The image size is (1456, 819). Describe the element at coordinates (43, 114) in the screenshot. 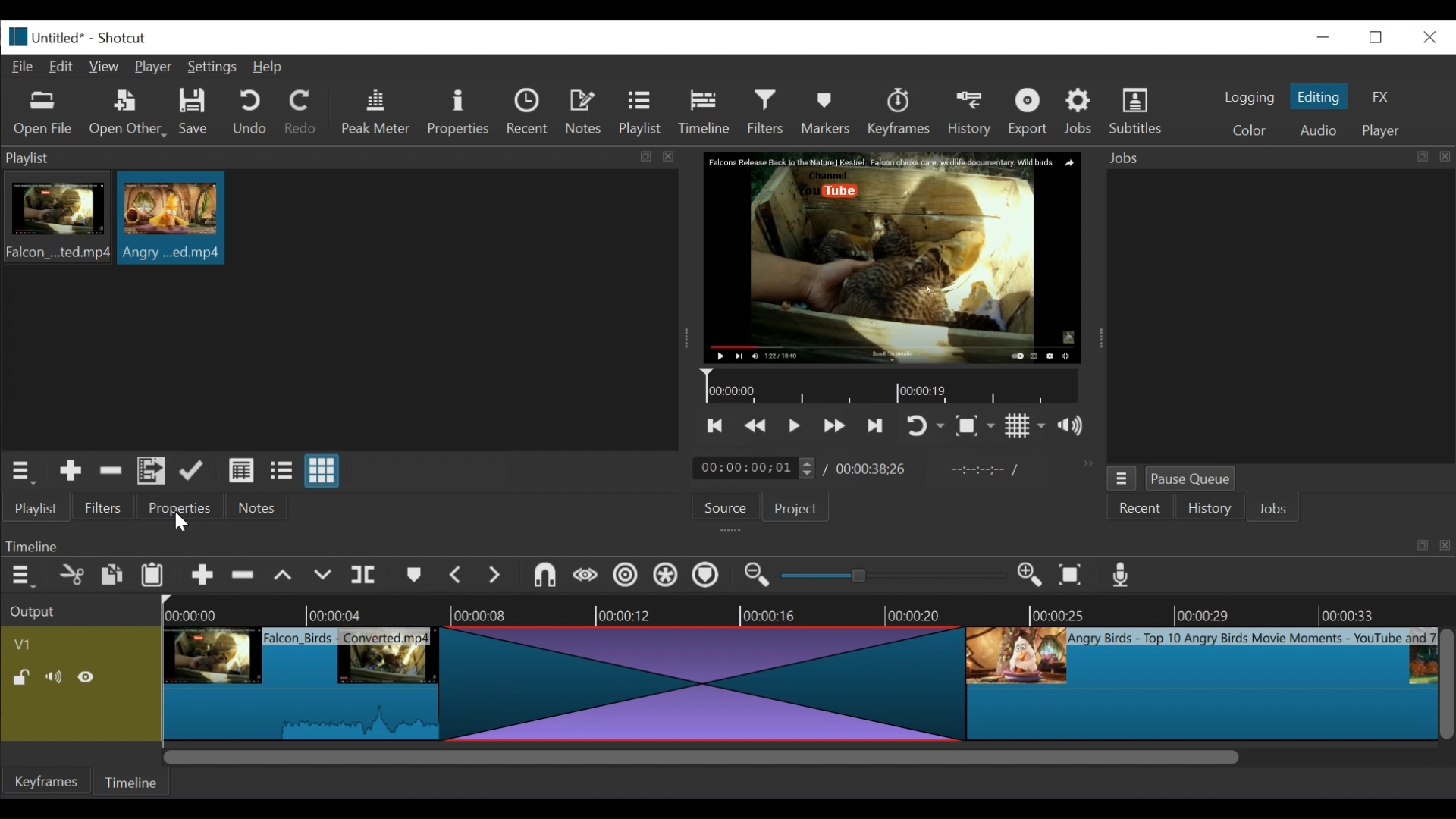

I see `Open file` at that location.